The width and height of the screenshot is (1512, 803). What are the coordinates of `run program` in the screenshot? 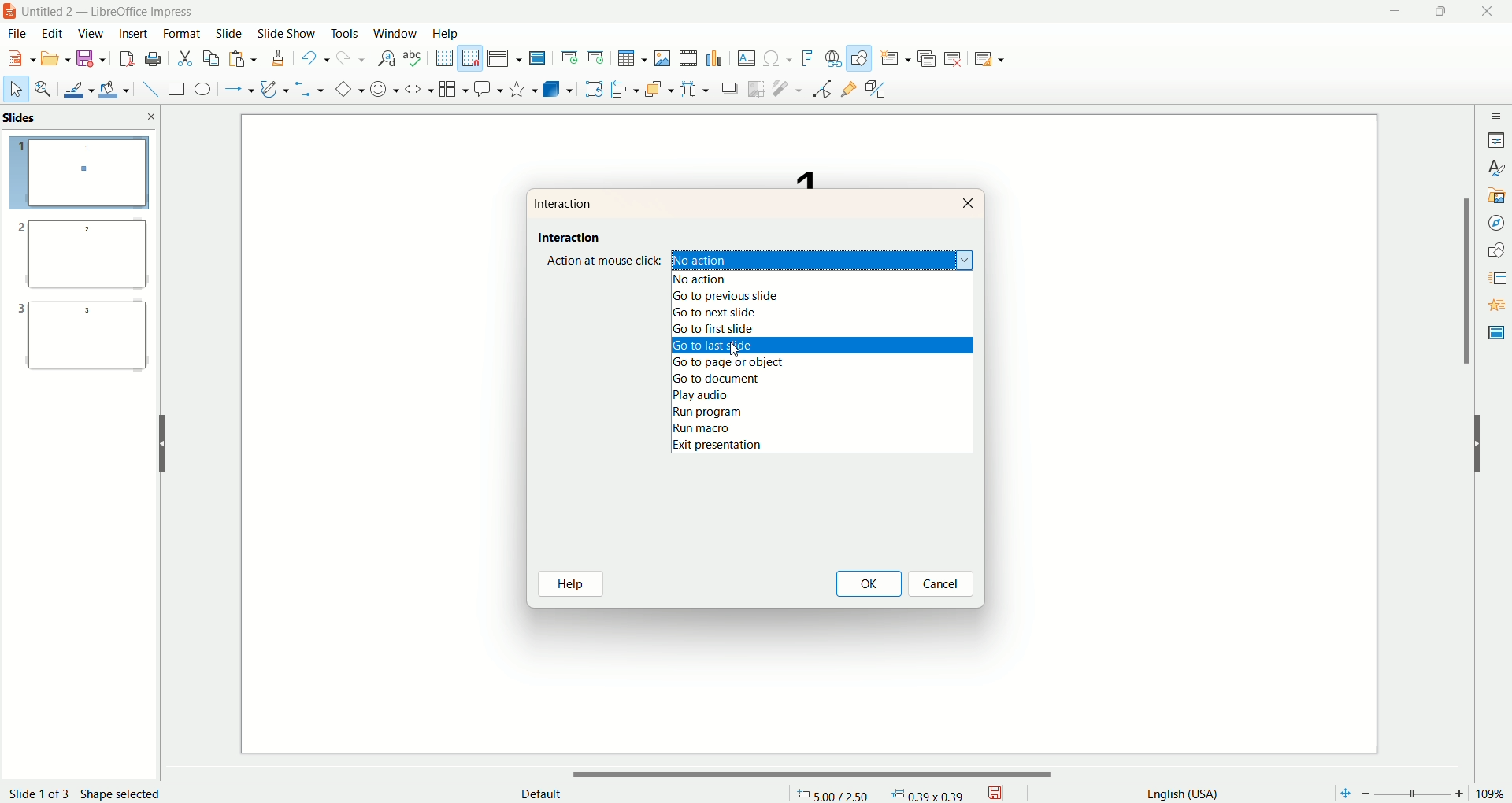 It's located at (754, 413).